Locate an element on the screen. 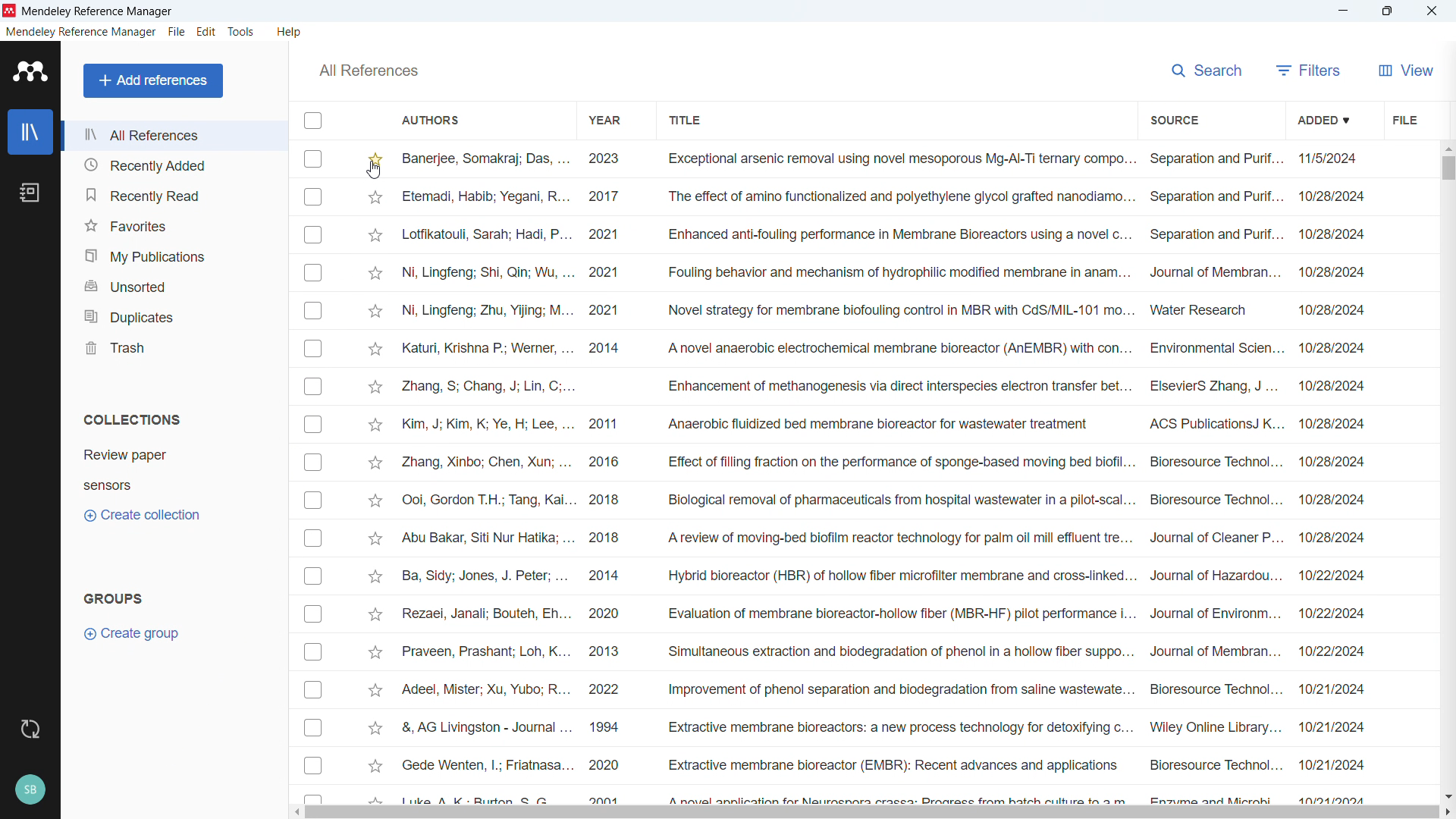  My publications  is located at coordinates (174, 253).